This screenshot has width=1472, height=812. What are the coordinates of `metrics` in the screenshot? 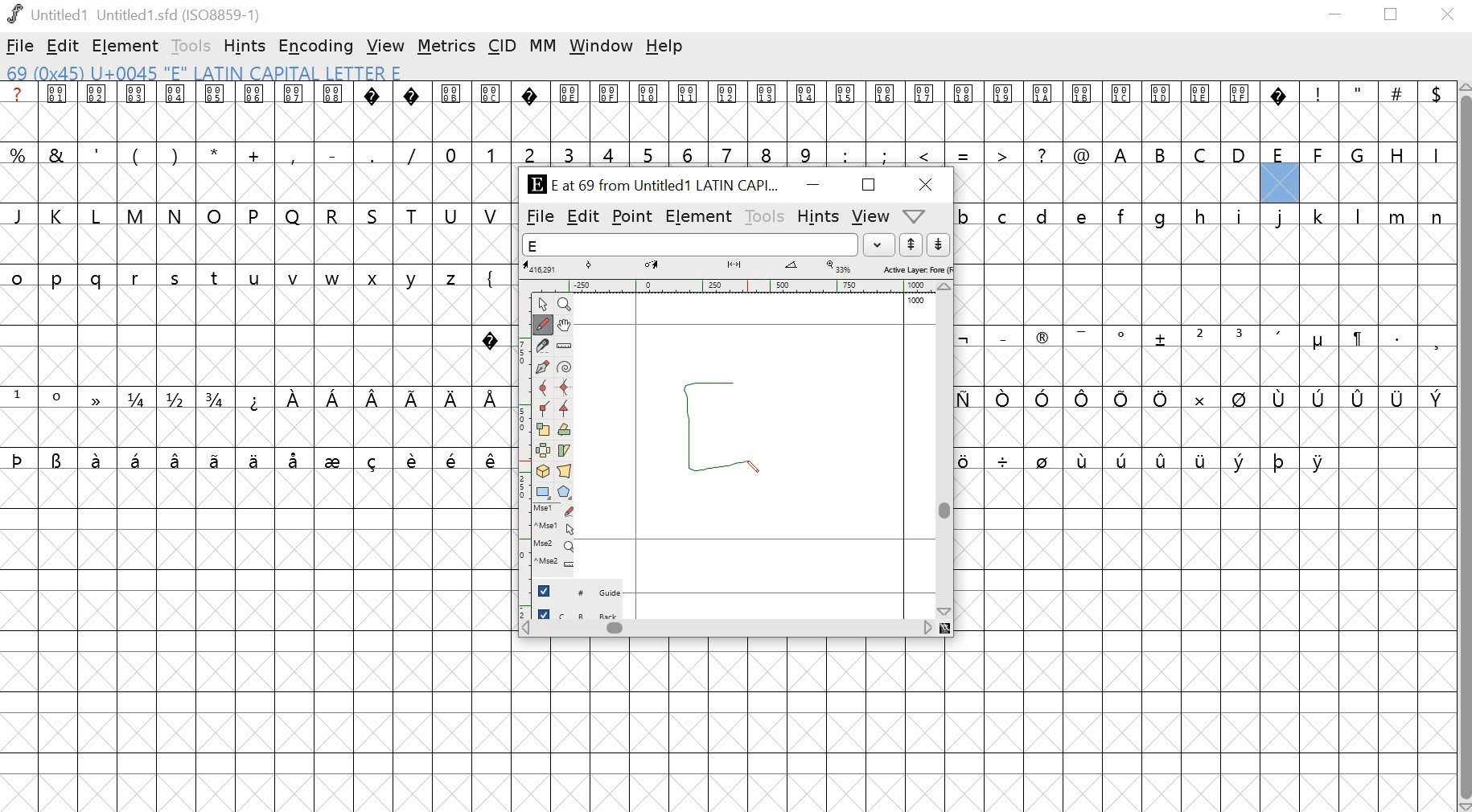 It's located at (446, 48).